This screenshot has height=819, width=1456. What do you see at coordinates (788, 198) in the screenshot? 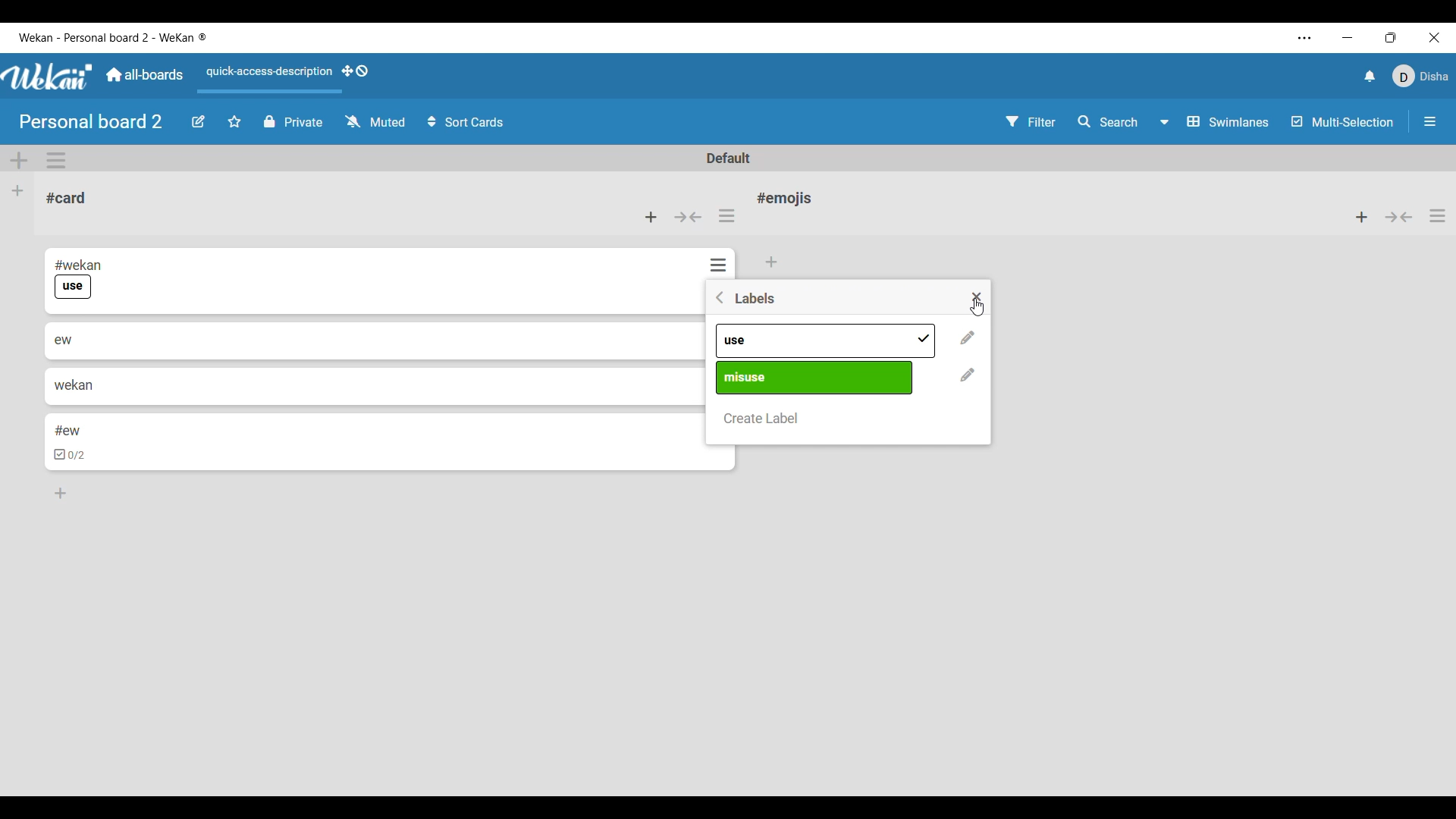
I see `Card name` at bounding box center [788, 198].